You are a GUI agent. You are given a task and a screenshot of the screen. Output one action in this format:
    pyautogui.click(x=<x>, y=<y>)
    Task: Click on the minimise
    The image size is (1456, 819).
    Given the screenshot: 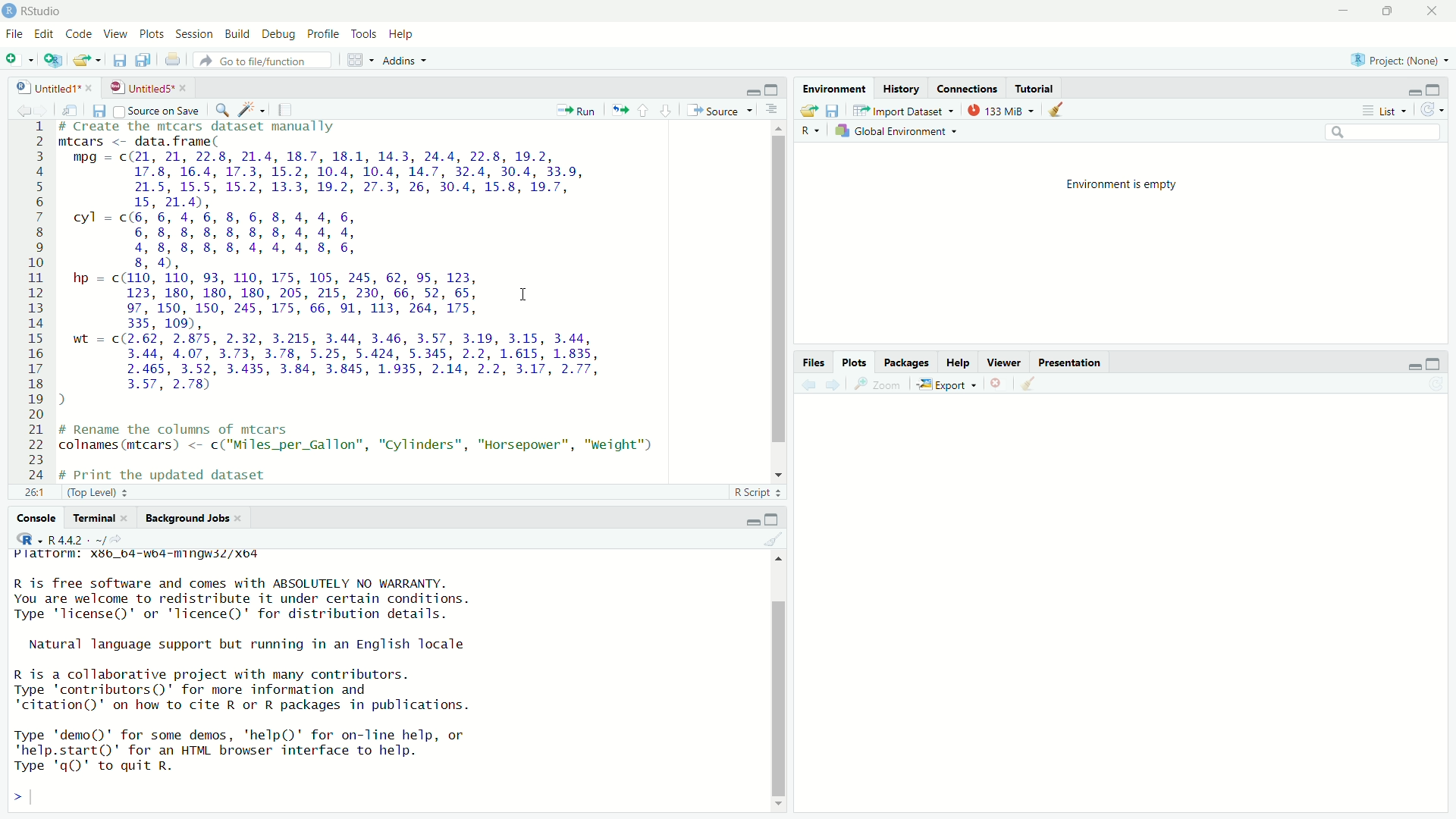 What is the action you would take?
    pyautogui.click(x=1342, y=13)
    